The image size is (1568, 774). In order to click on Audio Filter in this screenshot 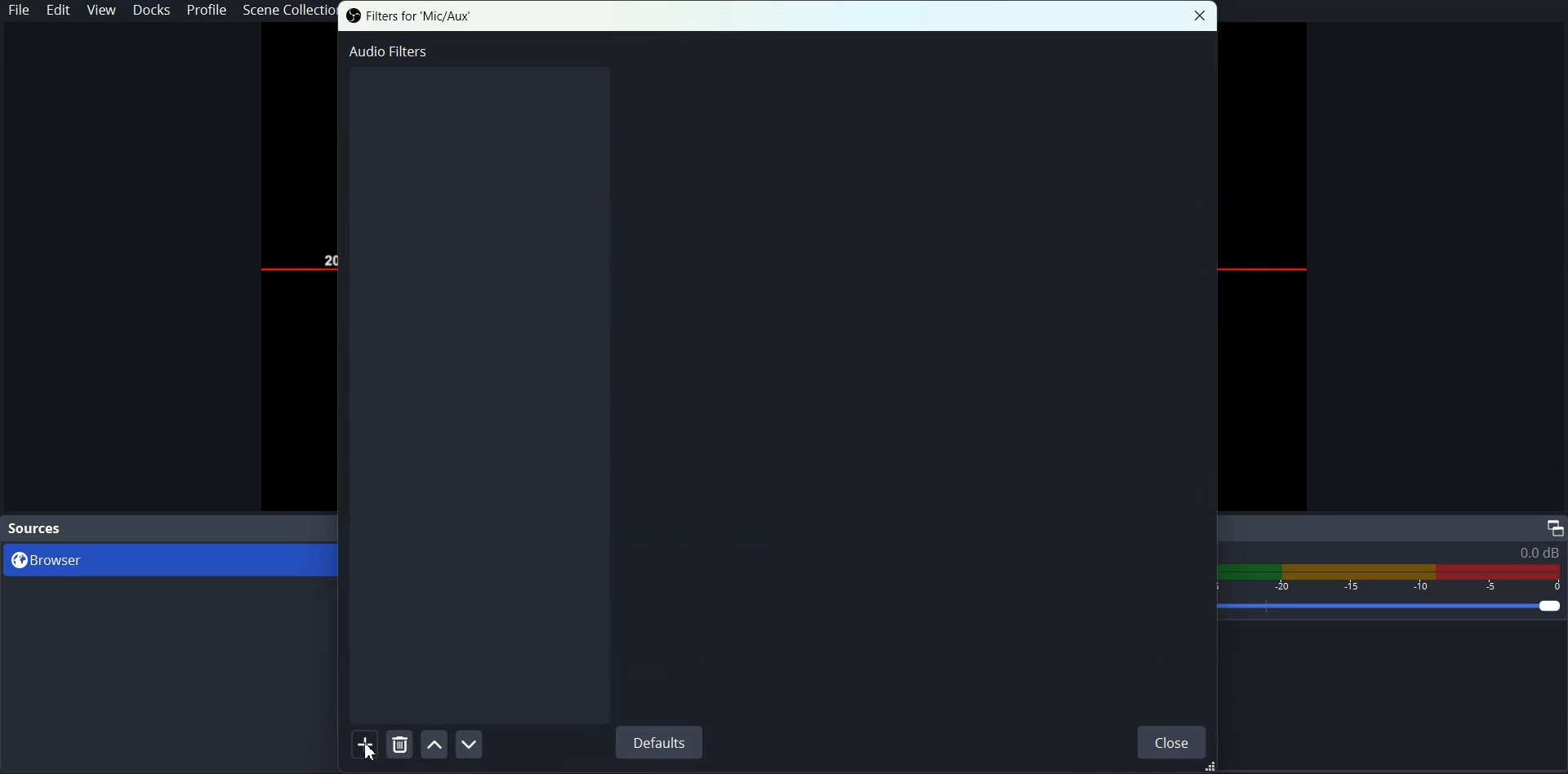, I will do `click(386, 51)`.